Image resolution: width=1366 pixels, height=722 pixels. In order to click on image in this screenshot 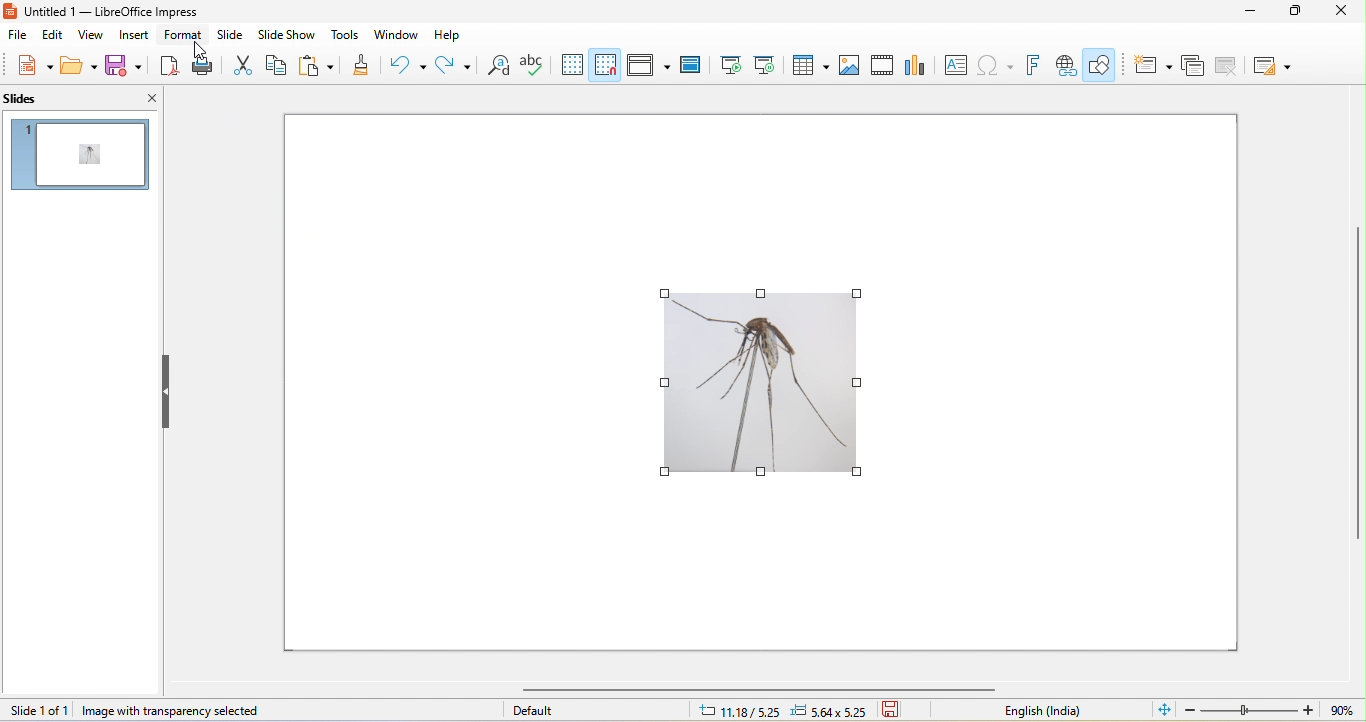, I will do `click(848, 65)`.